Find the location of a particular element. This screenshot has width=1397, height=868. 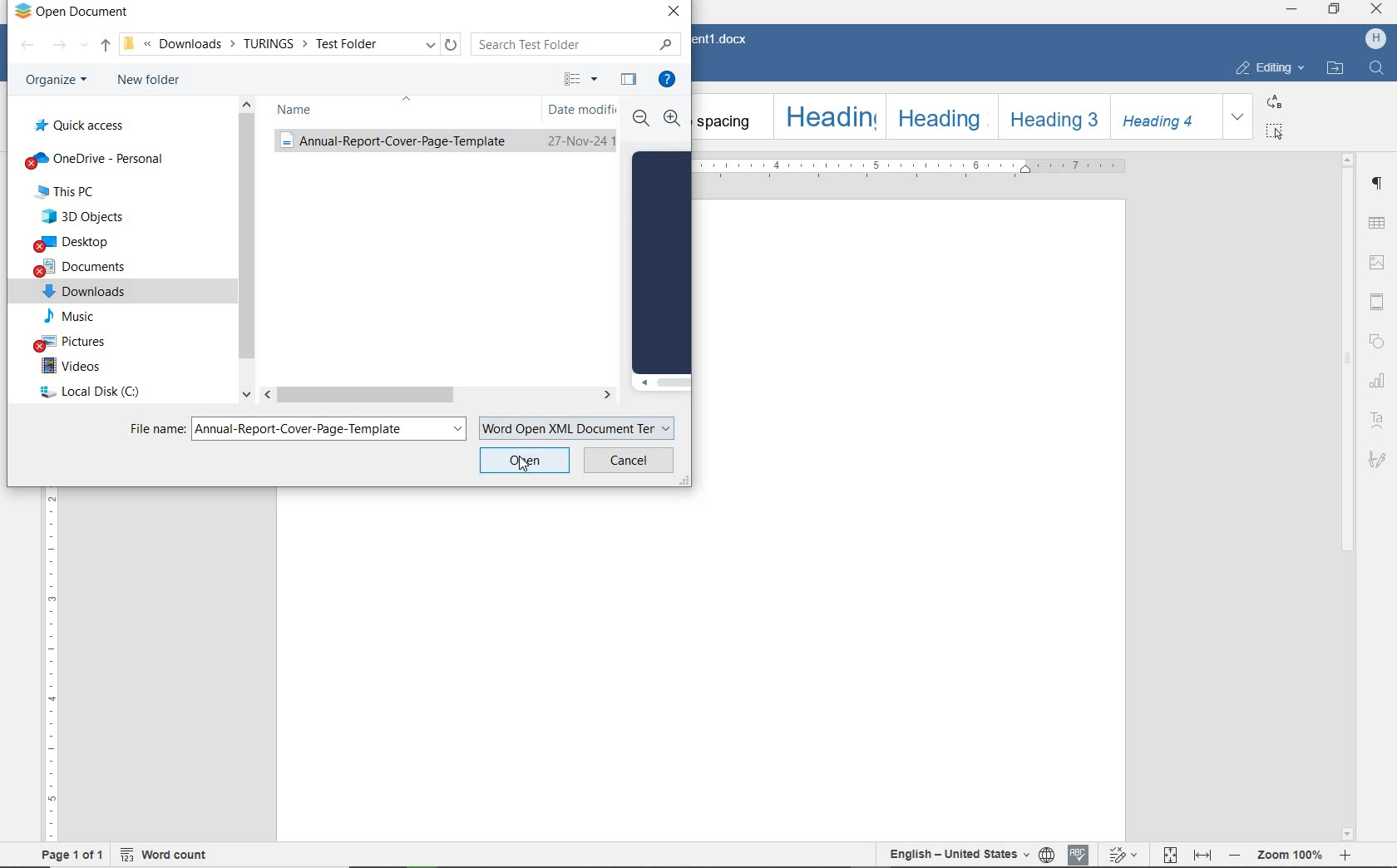

music is located at coordinates (72, 318).